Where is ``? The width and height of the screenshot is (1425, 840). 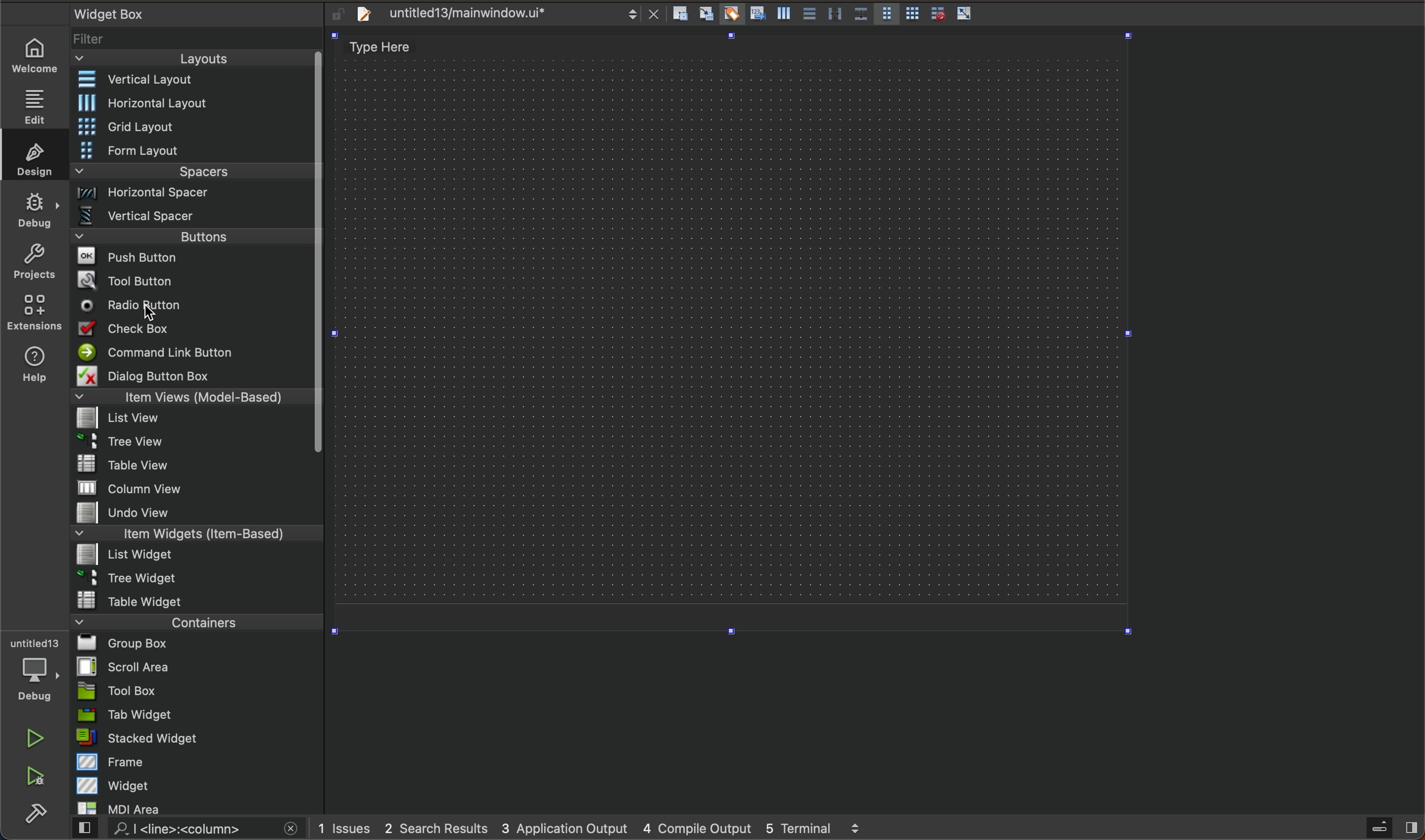
 is located at coordinates (196, 103).